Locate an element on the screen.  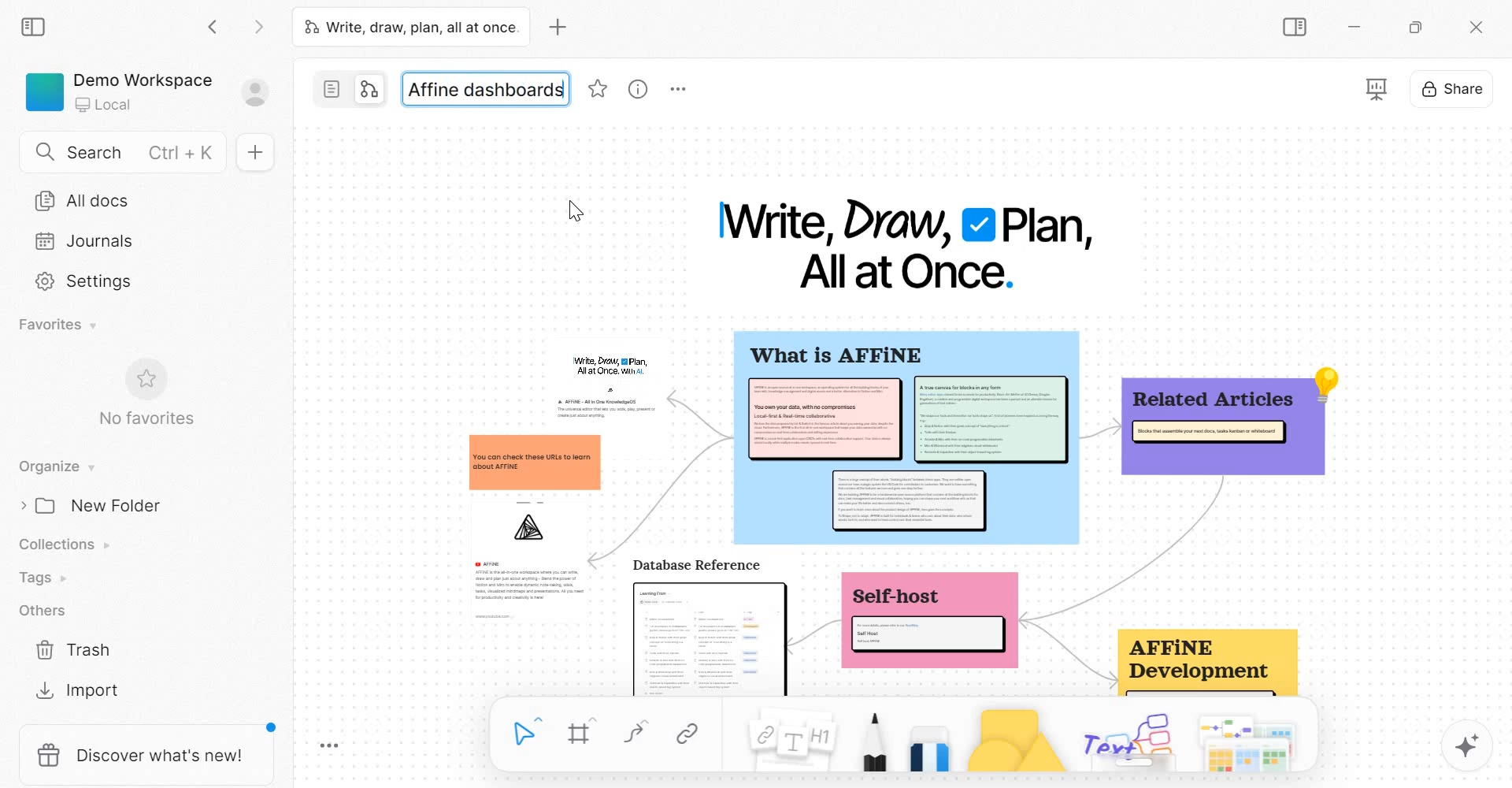
Go forward is located at coordinates (254, 31).